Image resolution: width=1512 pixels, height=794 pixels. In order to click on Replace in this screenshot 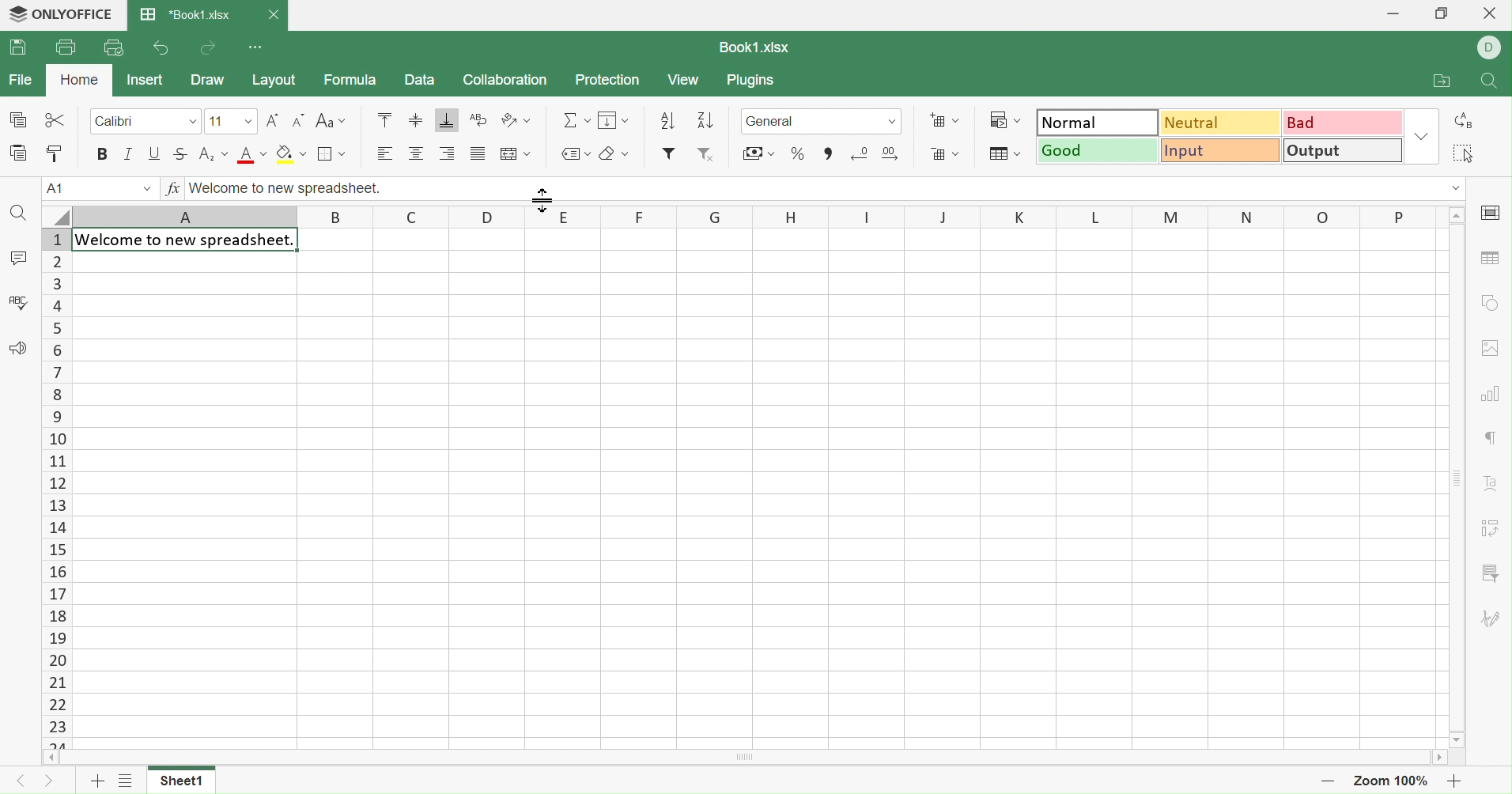, I will do `click(1465, 121)`.